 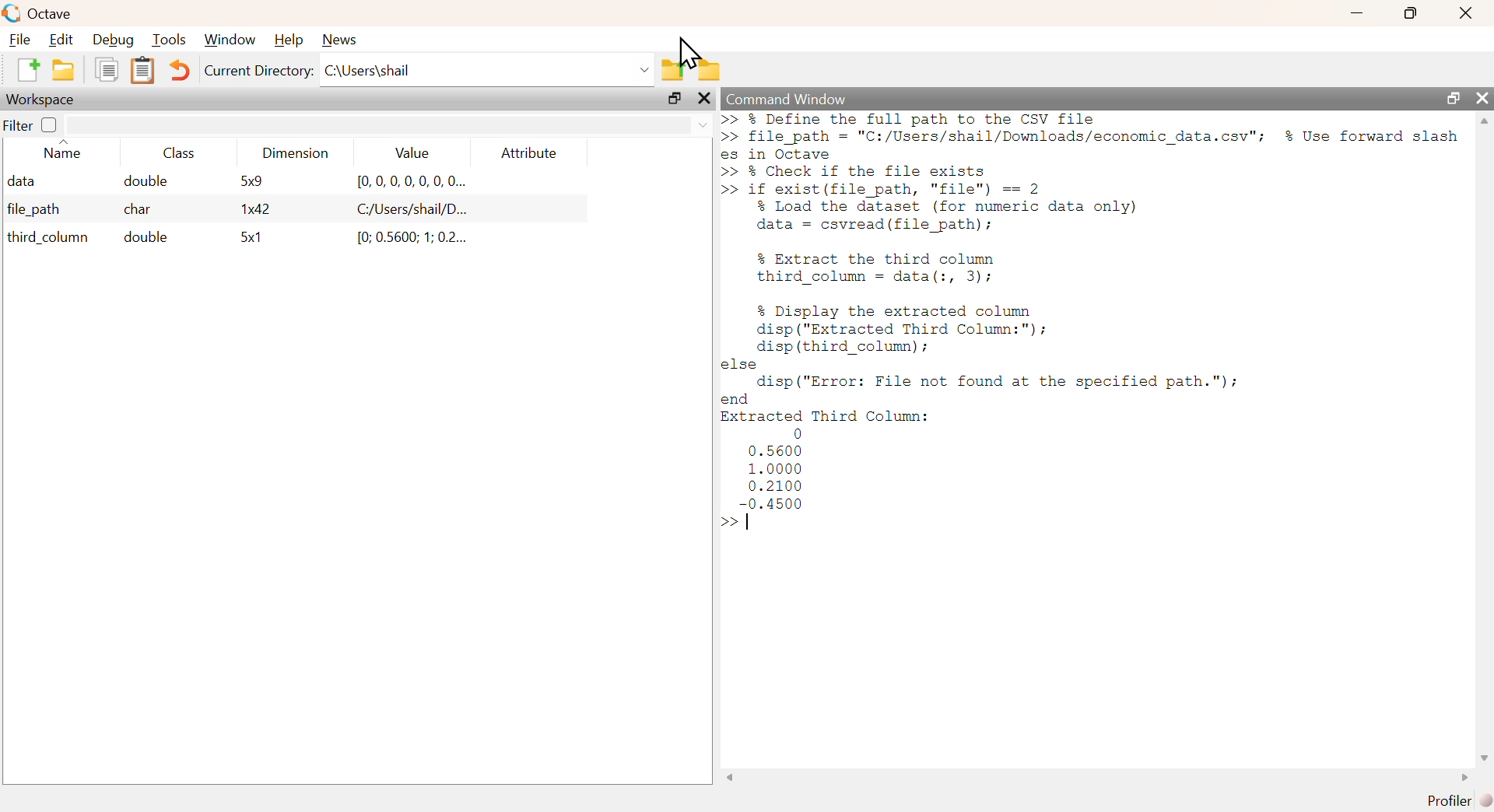 What do you see at coordinates (142, 240) in the screenshot?
I see `double` at bounding box center [142, 240].